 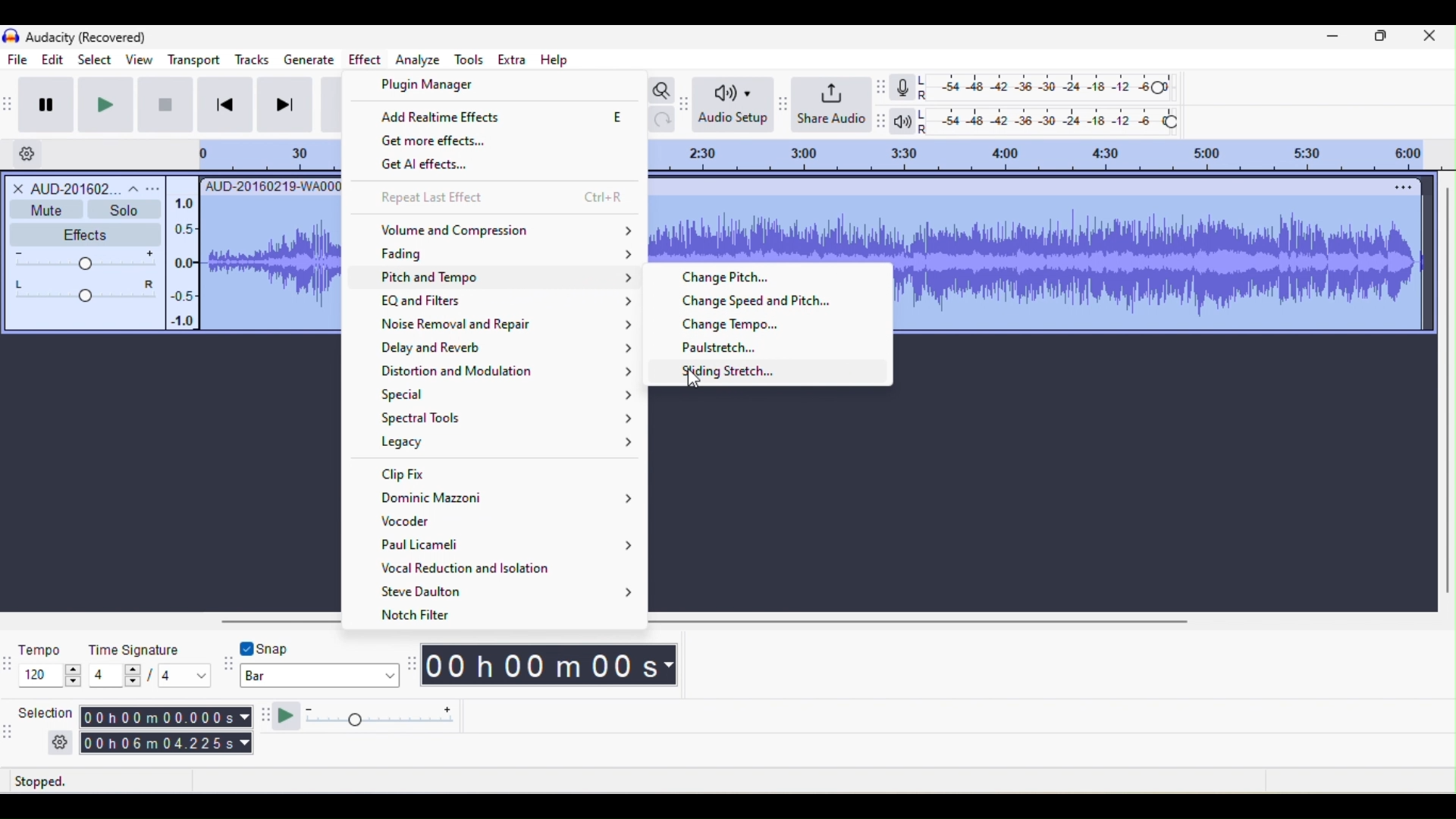 What do you see at coordinates (513, 303) in the screenshot?
I see `EQ and Filters` at bounding box center [513, 303].